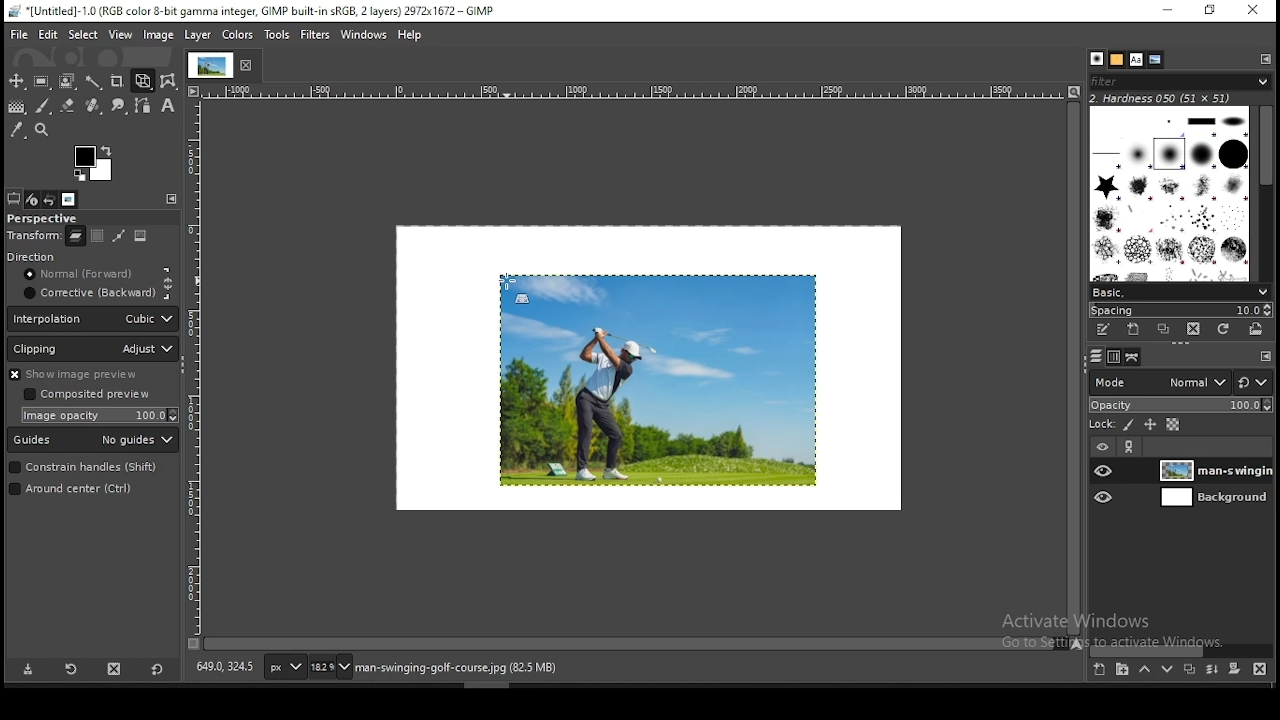 The width and height of the screenshot is (1280, 720). What do you see at coordinates (1165, 670) in the screenshot?
I see `move layer on step down` at bounding box center [1165, 670].